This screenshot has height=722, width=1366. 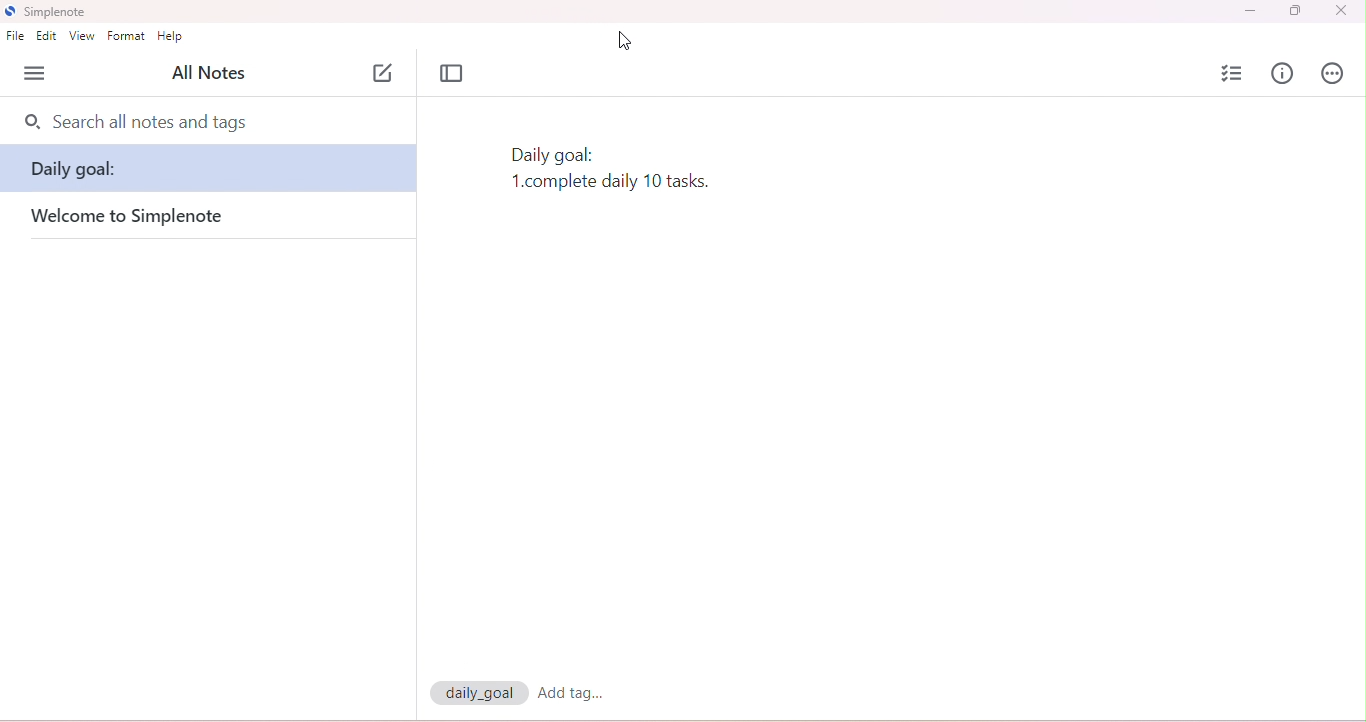 I want to click on menu, so click(x=38, y=73).